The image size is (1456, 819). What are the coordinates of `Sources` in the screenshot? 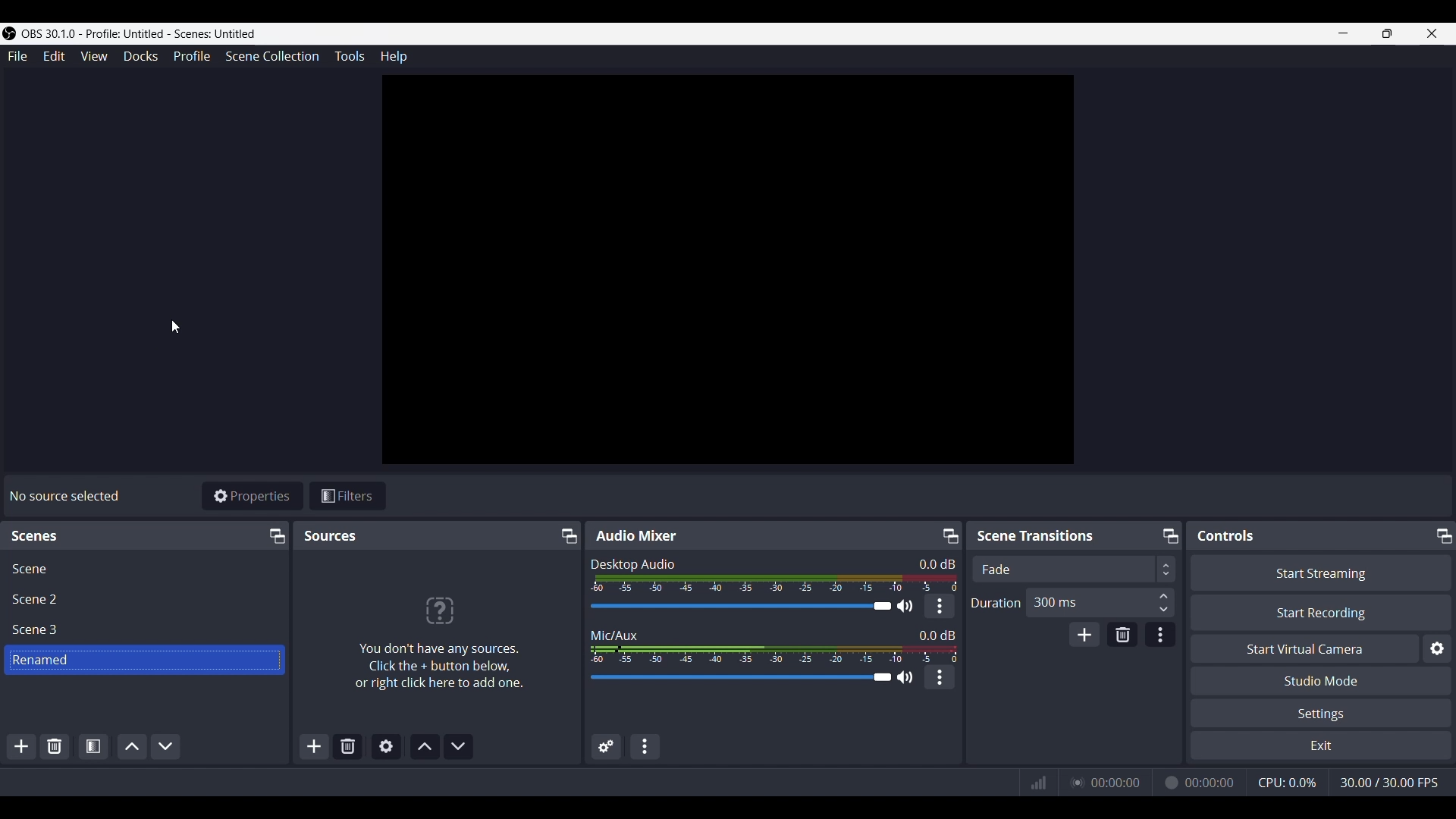 It's located at (331, 535).